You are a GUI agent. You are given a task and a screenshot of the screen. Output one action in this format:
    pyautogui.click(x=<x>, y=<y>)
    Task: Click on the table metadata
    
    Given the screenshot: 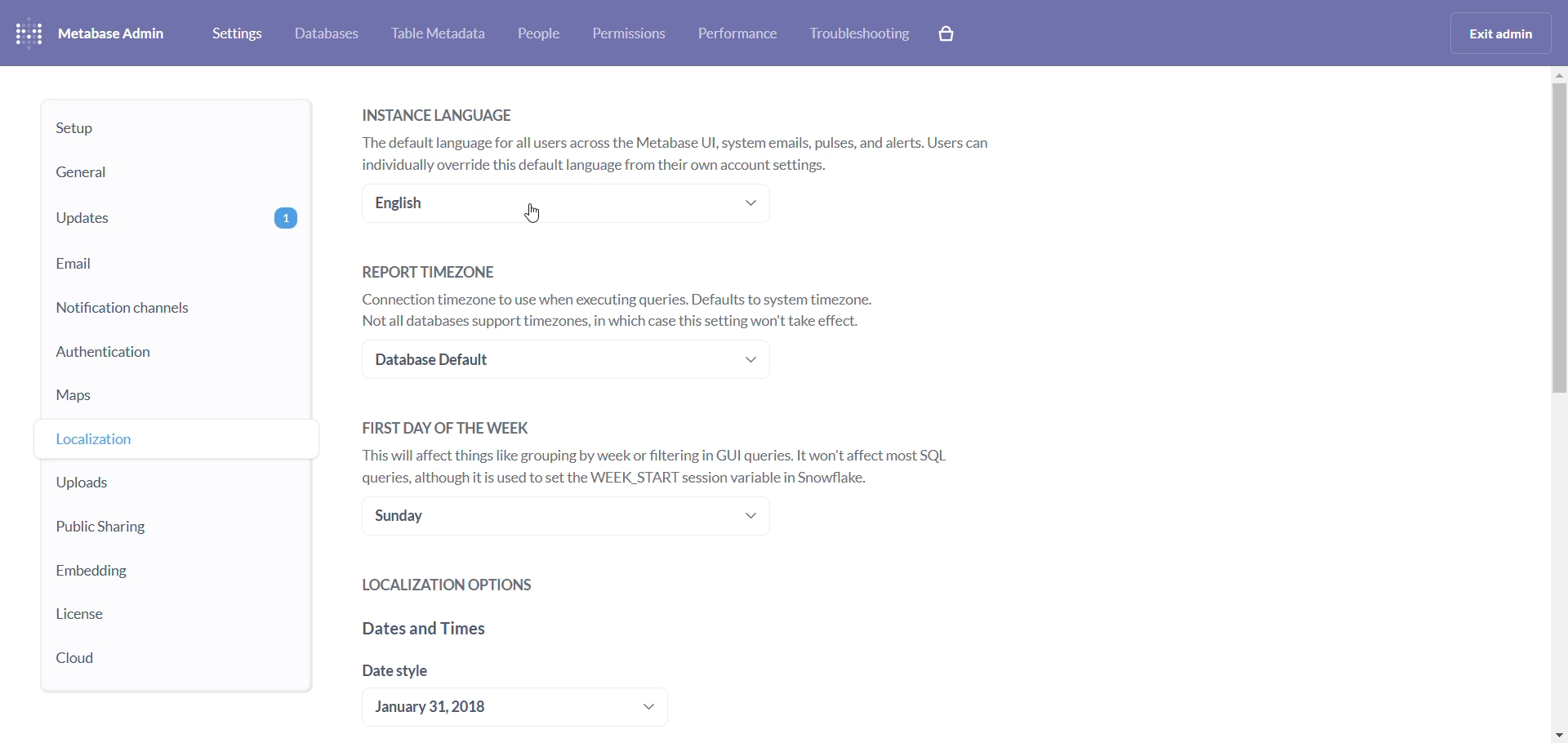 What is the action you would take?
    pyautogui.click(x=439, y=33)
    